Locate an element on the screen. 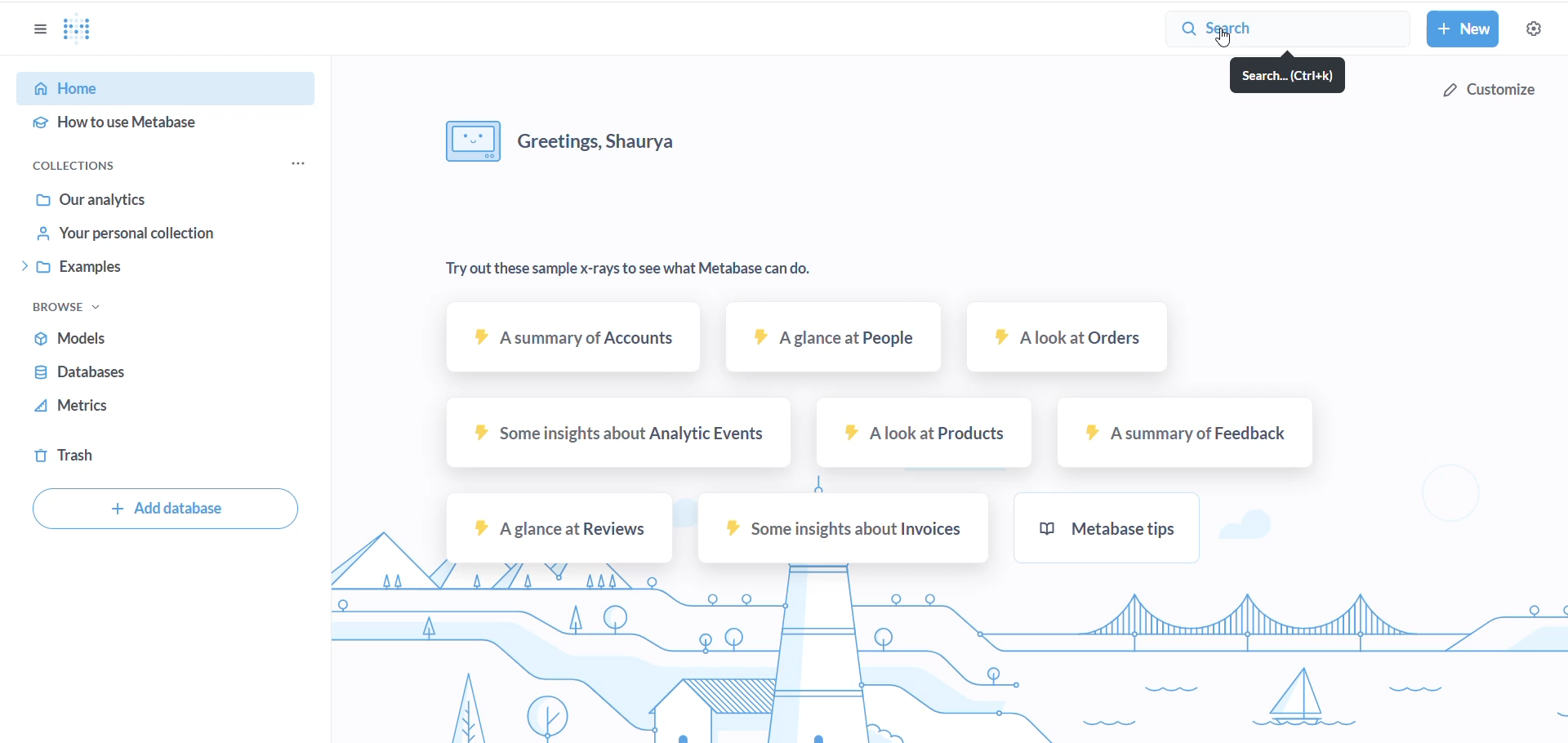 This screenshot has width=1568, height=743. metrics is located at coordinates (138, 406).